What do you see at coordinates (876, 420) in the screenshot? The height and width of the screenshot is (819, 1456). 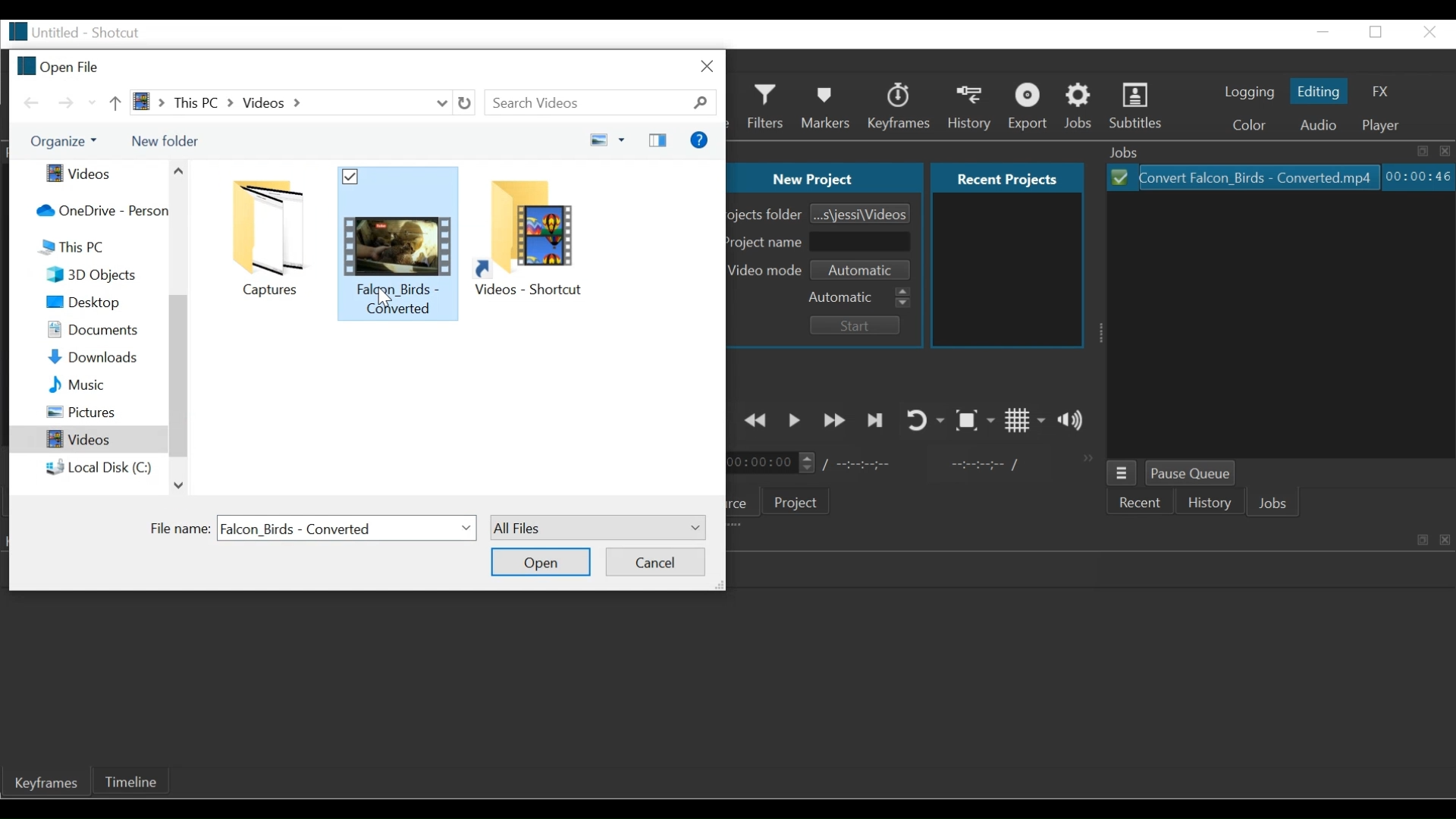 I see `Skip to the next point` at bounding box center [876, 420].